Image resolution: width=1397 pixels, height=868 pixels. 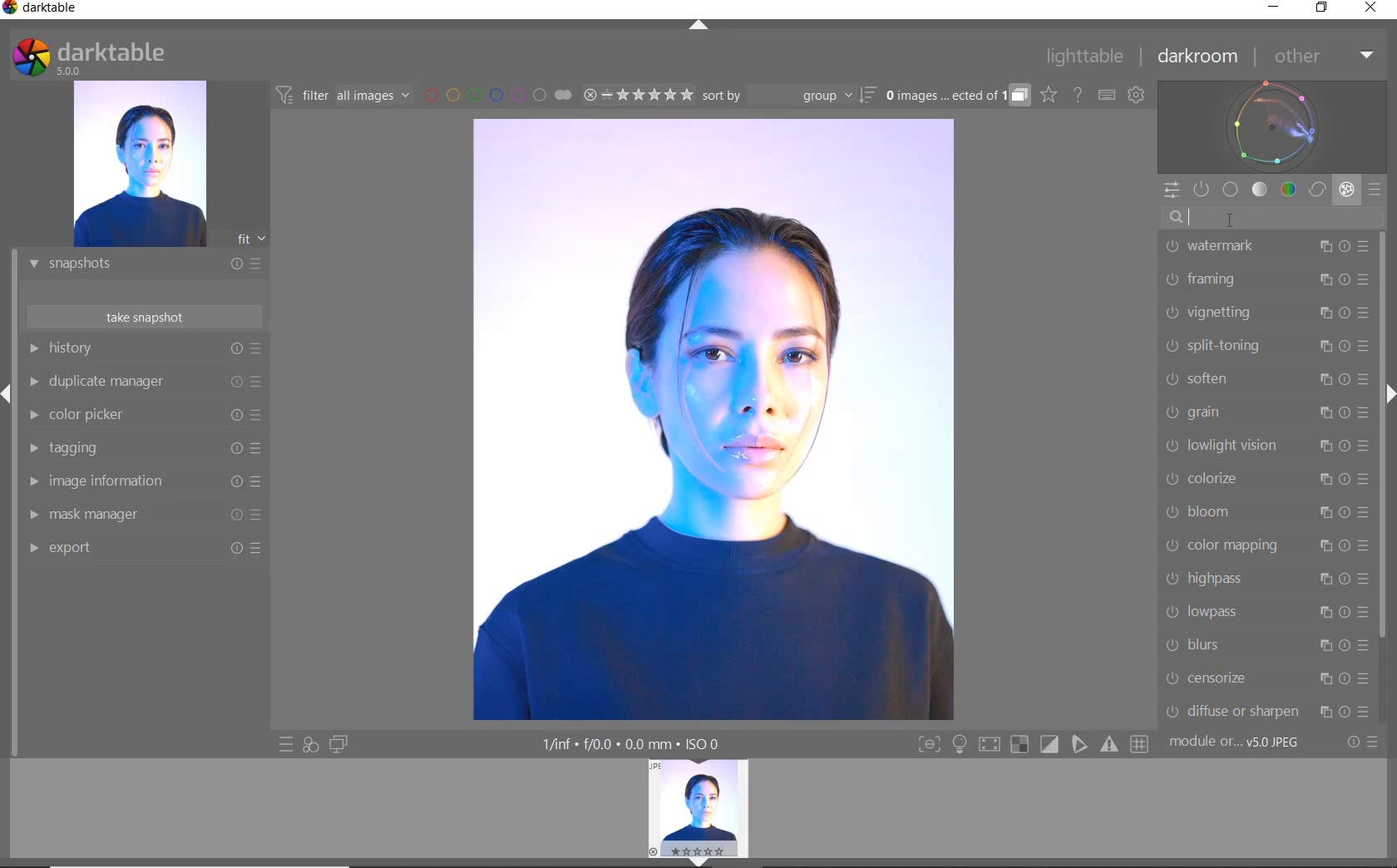 What do you see at coordinates (1265, 611) in the screenshot?
I see `LOWPASS` at bounding box center [1265, 611].